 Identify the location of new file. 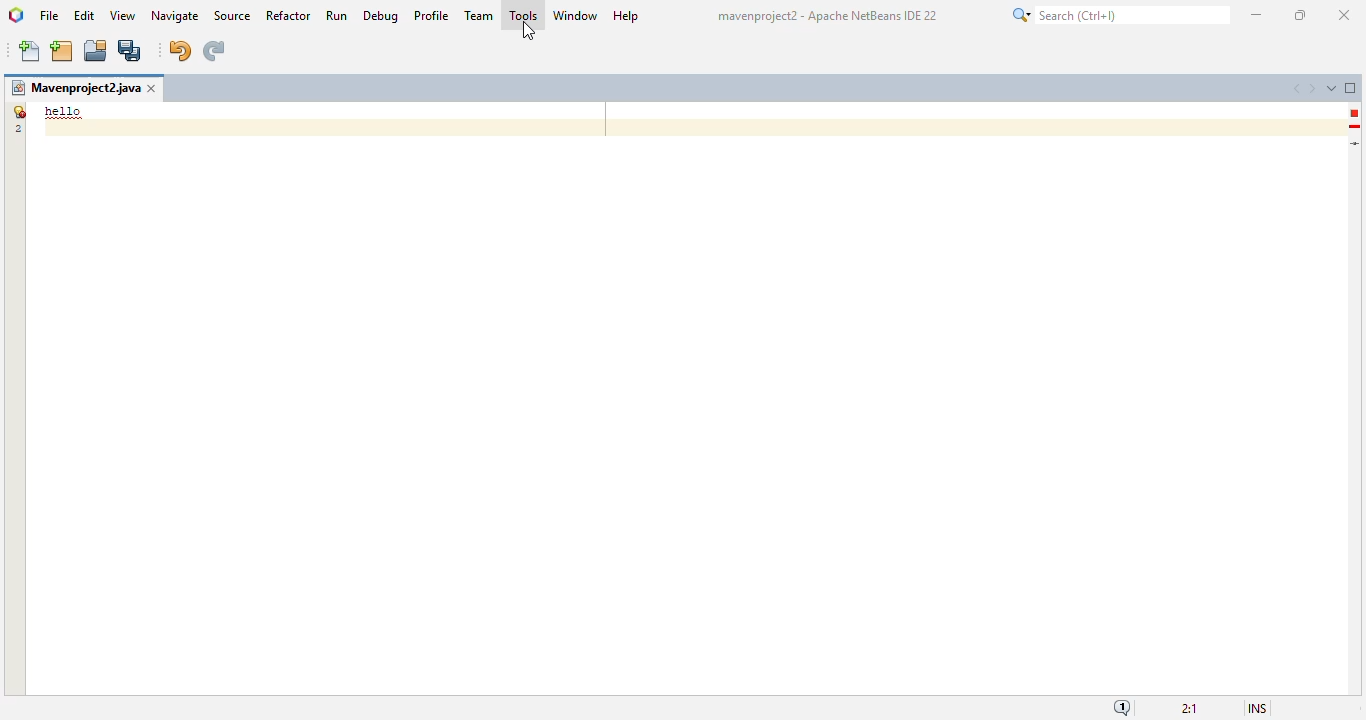
(31, 51).